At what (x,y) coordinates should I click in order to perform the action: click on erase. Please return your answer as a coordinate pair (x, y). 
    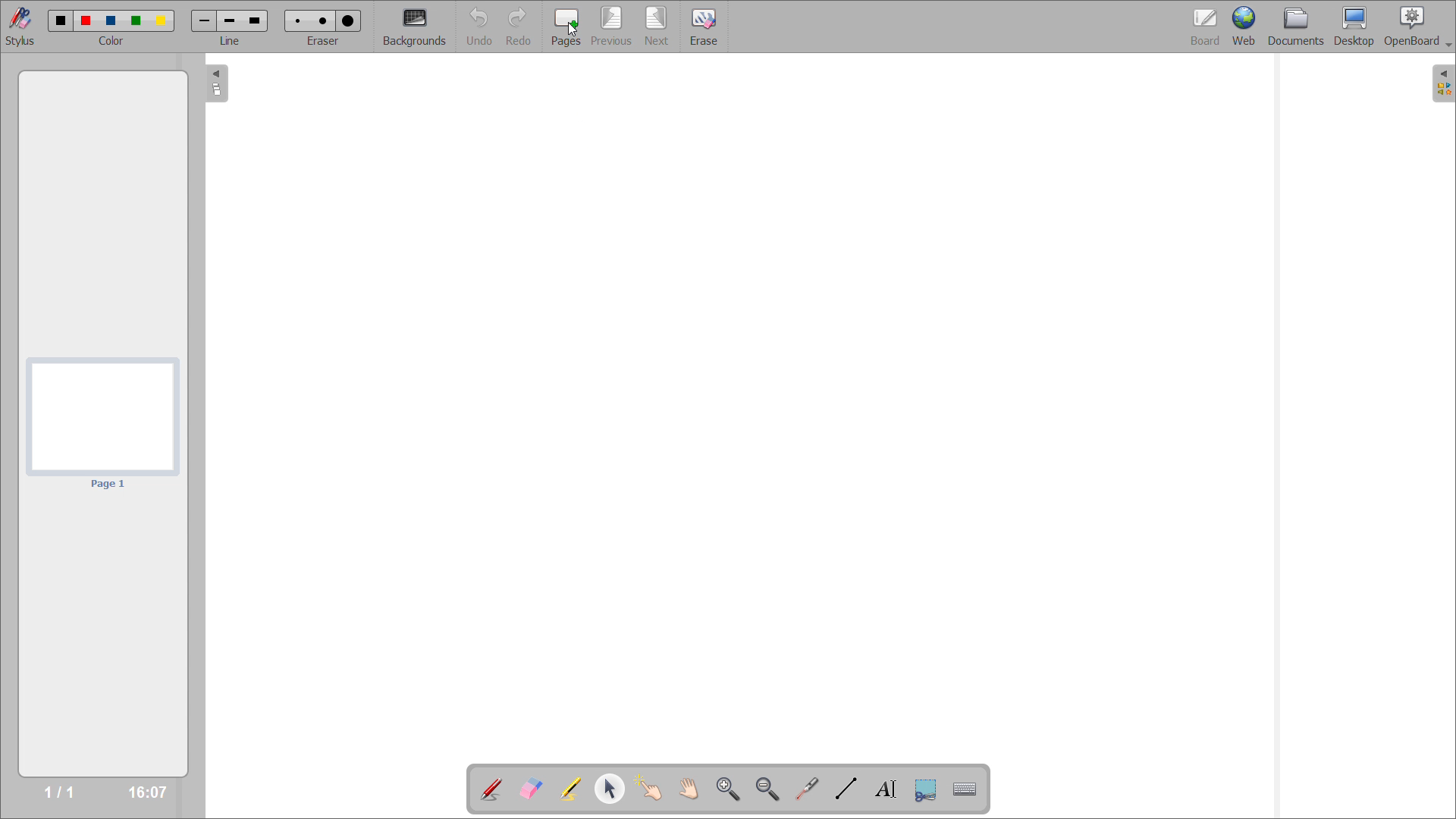
    Looking at the image, I should click on (707, 27).